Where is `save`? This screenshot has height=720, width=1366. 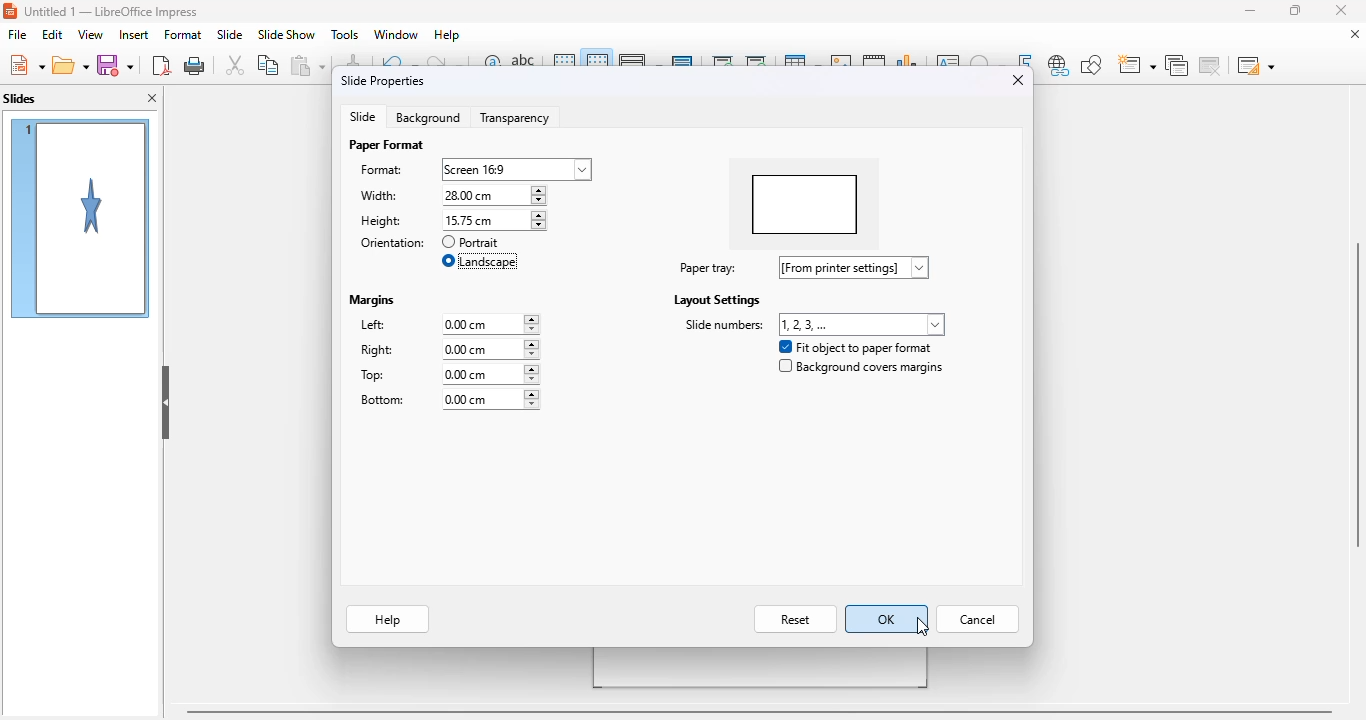 save is located at coordinates (114, 64).